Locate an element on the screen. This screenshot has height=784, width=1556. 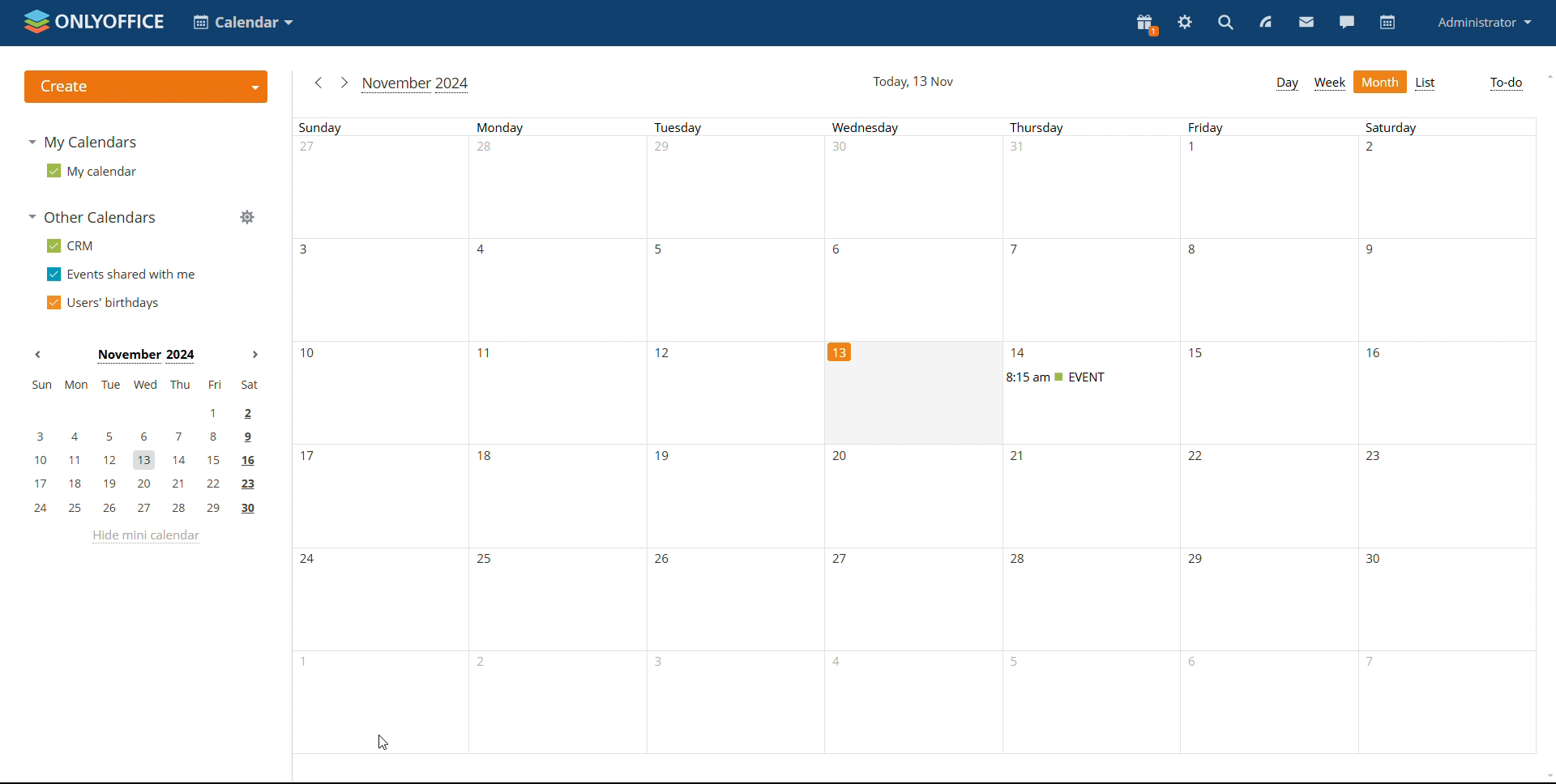
current month is located at coordinates (146, 355).